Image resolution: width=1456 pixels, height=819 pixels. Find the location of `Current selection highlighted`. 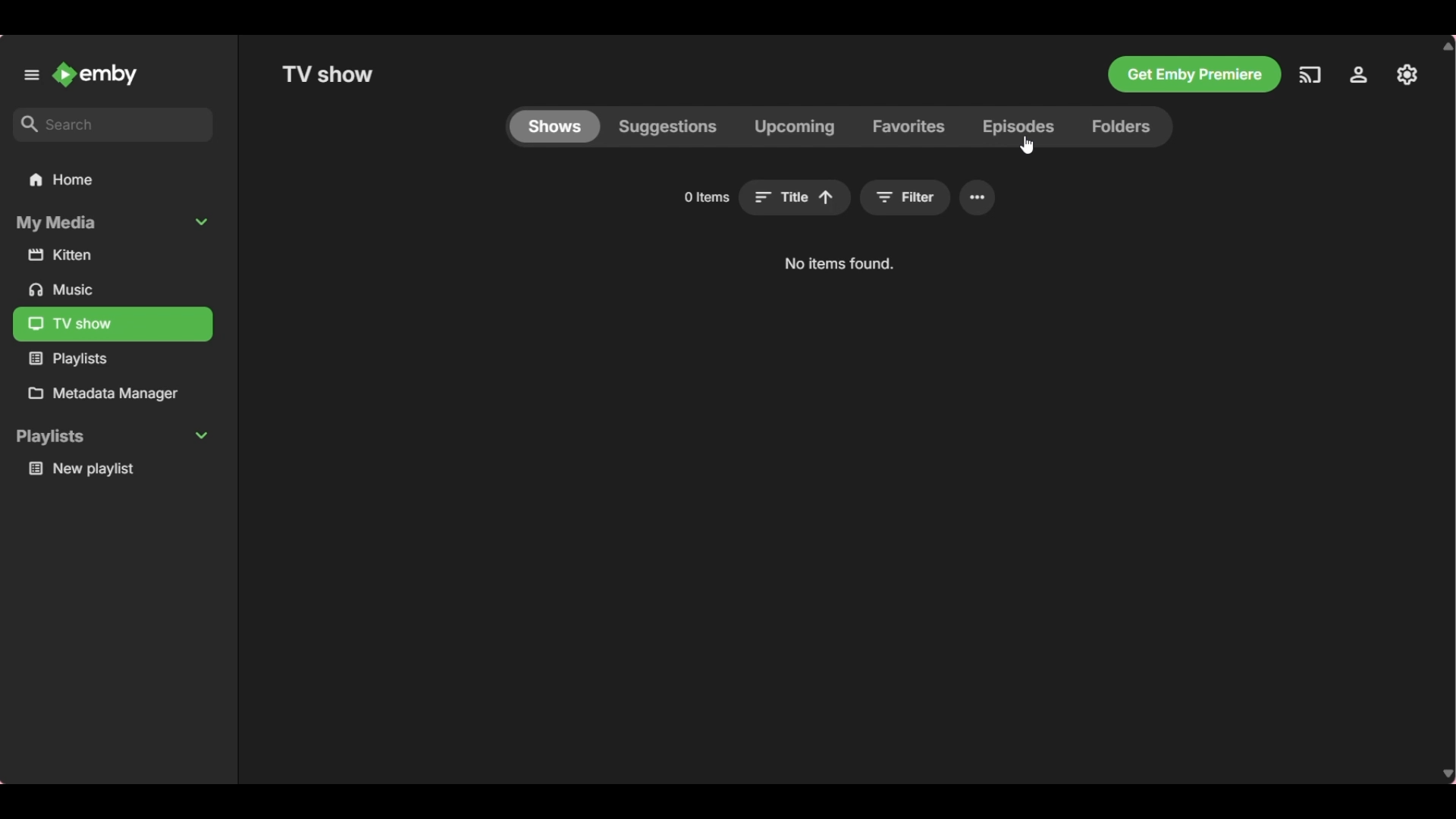

Current selection highlighted is located at coordinates (555, 127).